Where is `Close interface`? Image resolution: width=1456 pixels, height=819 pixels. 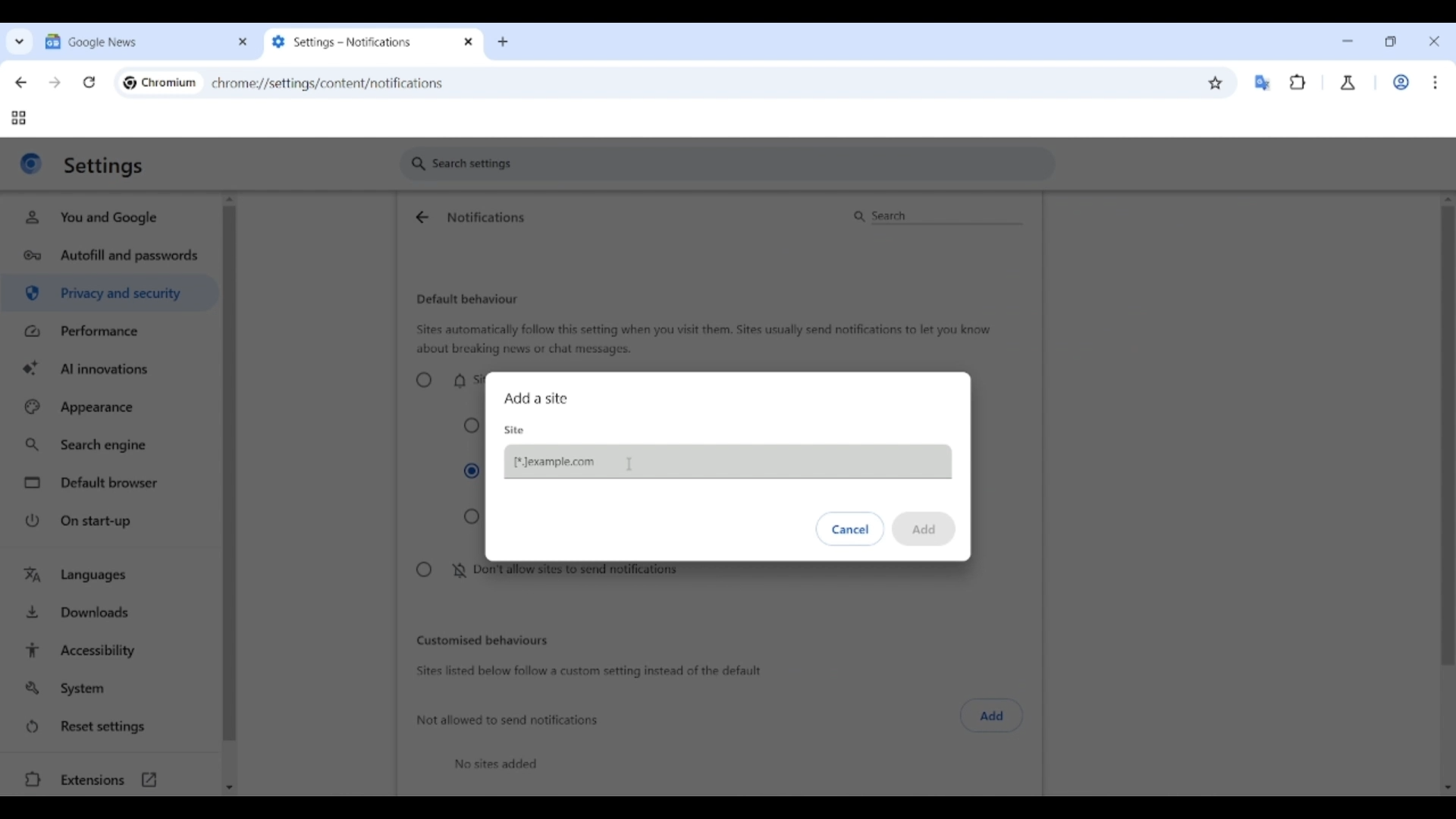
Close interface is located at coordinates (1434, 41).